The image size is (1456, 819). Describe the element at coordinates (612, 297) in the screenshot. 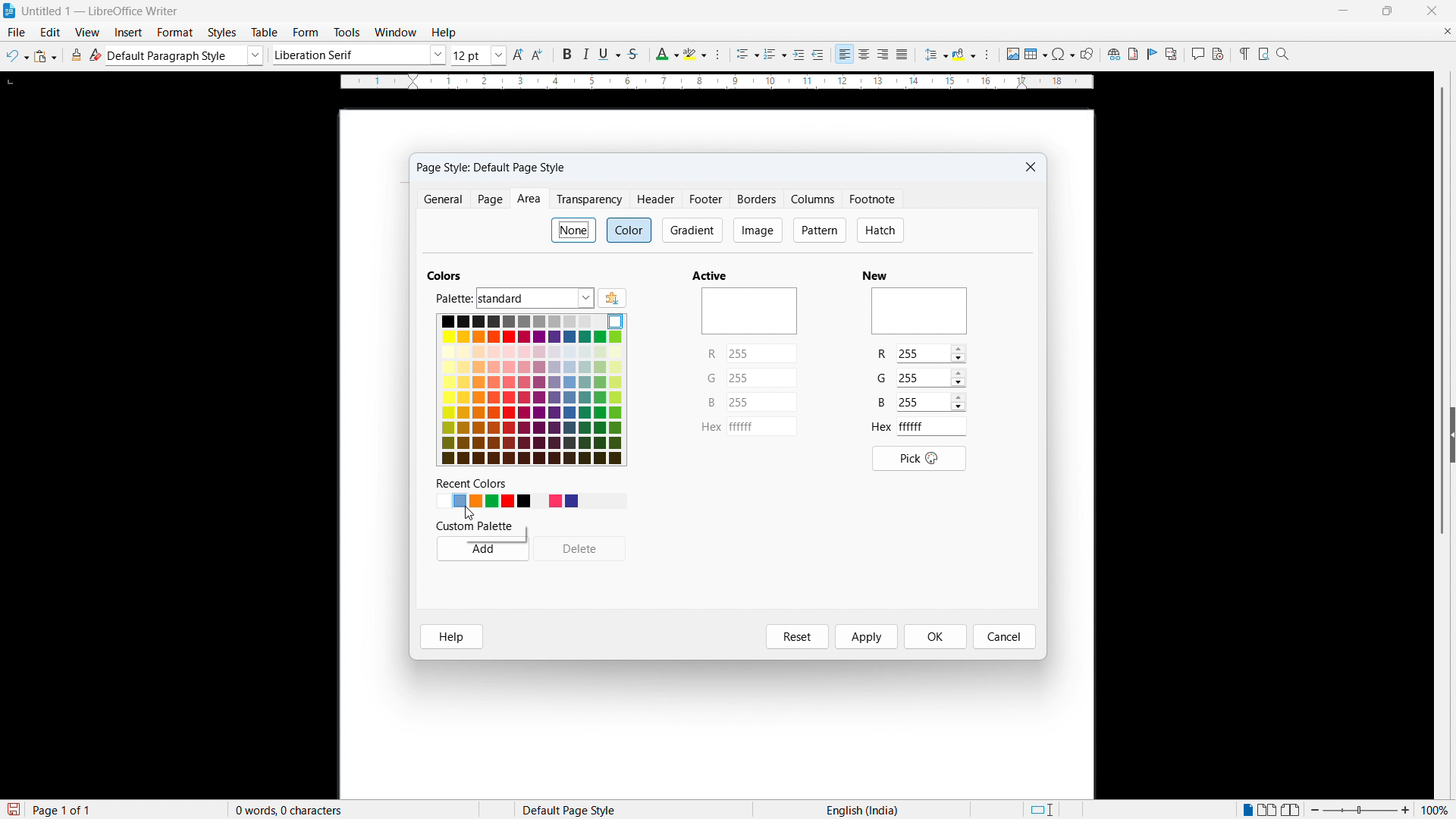

I see `Add colour pallettes using extensions` at that location.